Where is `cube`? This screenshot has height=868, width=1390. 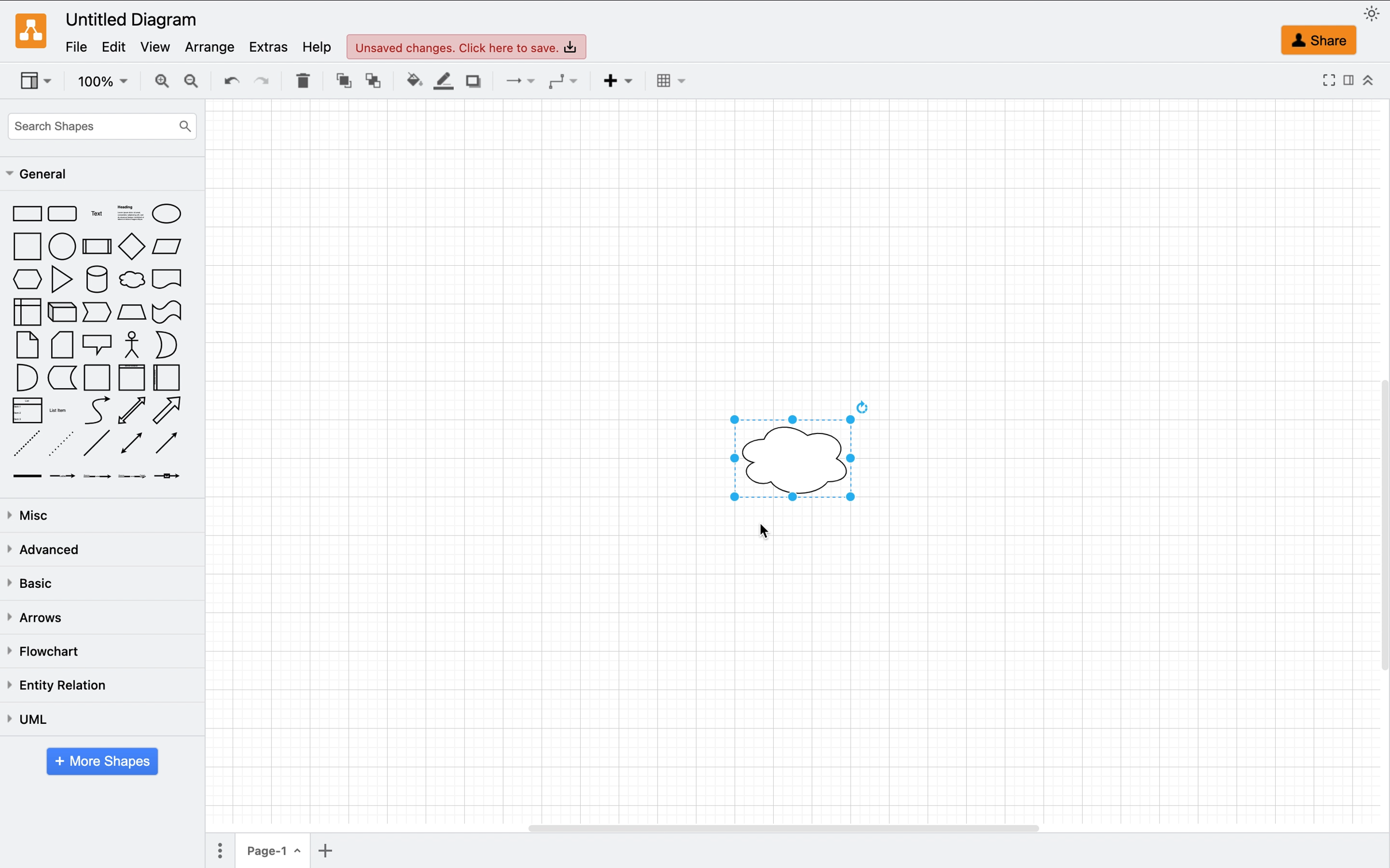 cube is located at coordinates (61, 315).